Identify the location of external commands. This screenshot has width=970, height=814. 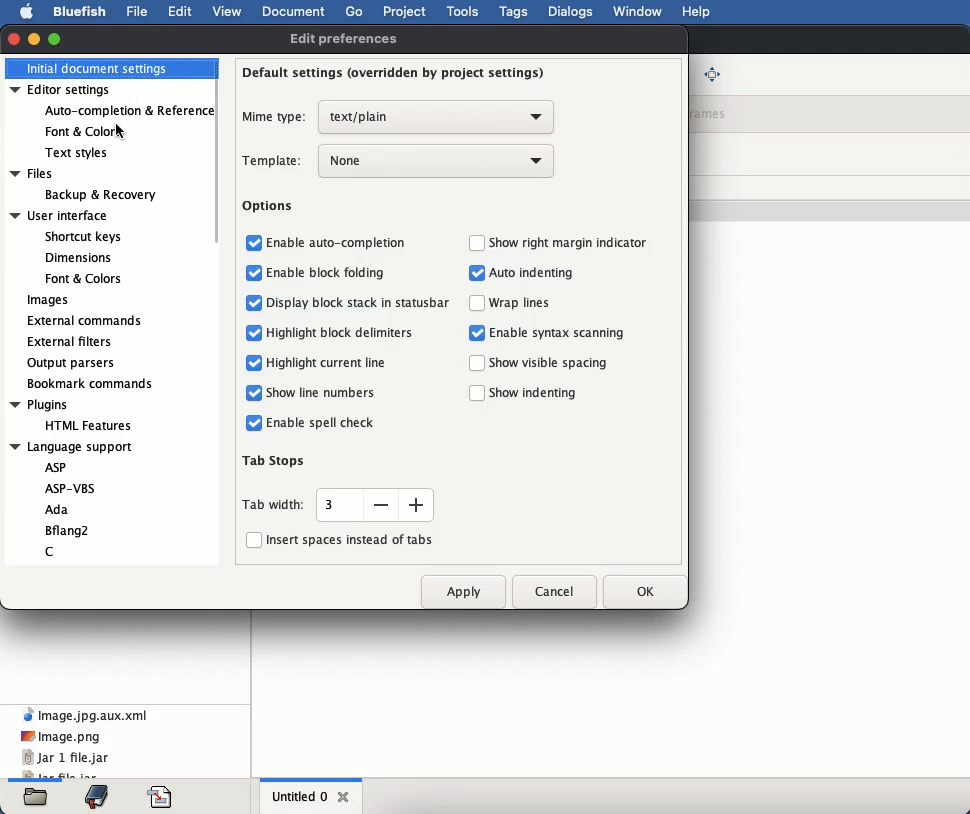
(84, 321).